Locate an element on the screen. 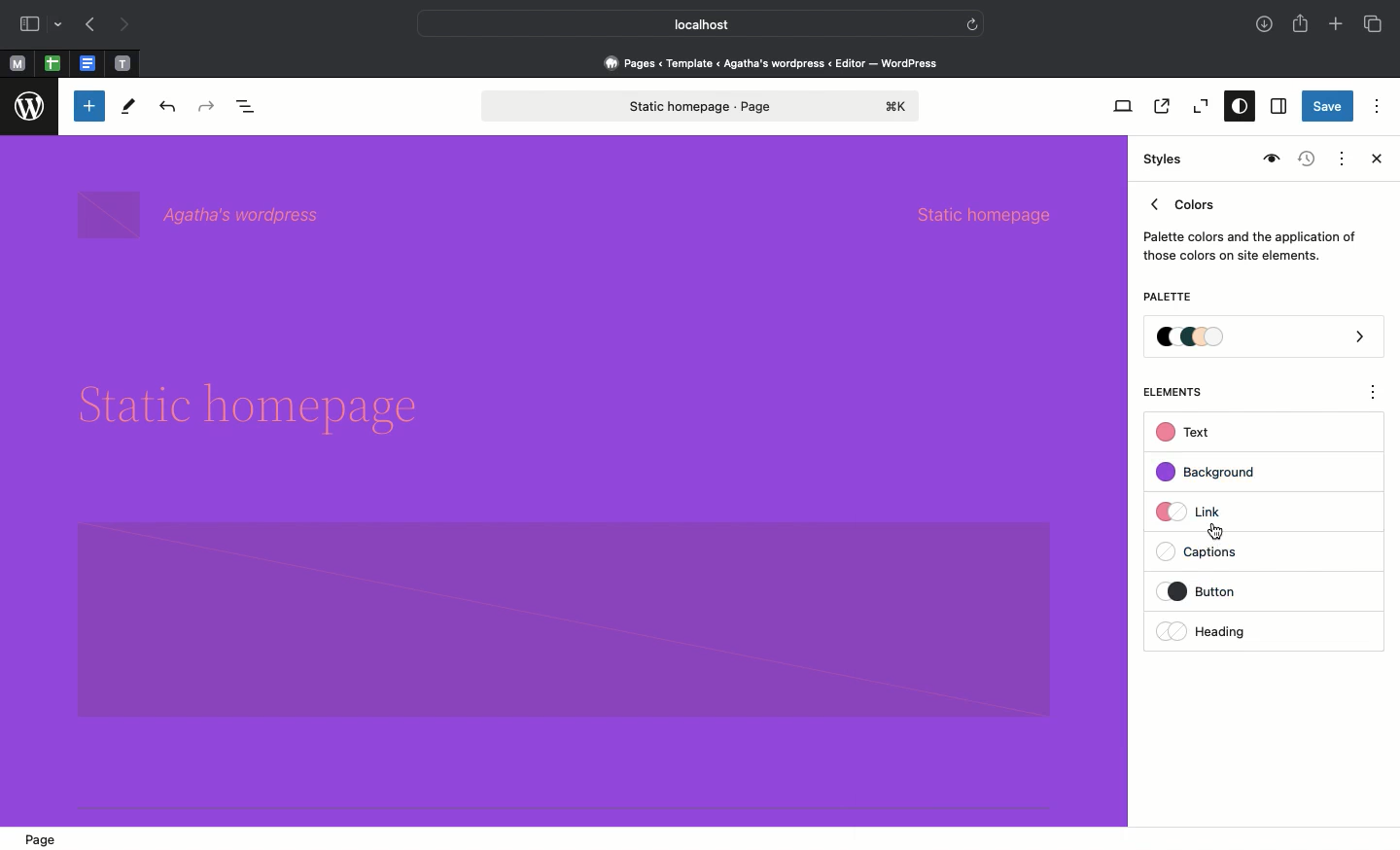 The height and width of the screenshot is (850, 1400). drop-down is located at coordinates (61, 25).